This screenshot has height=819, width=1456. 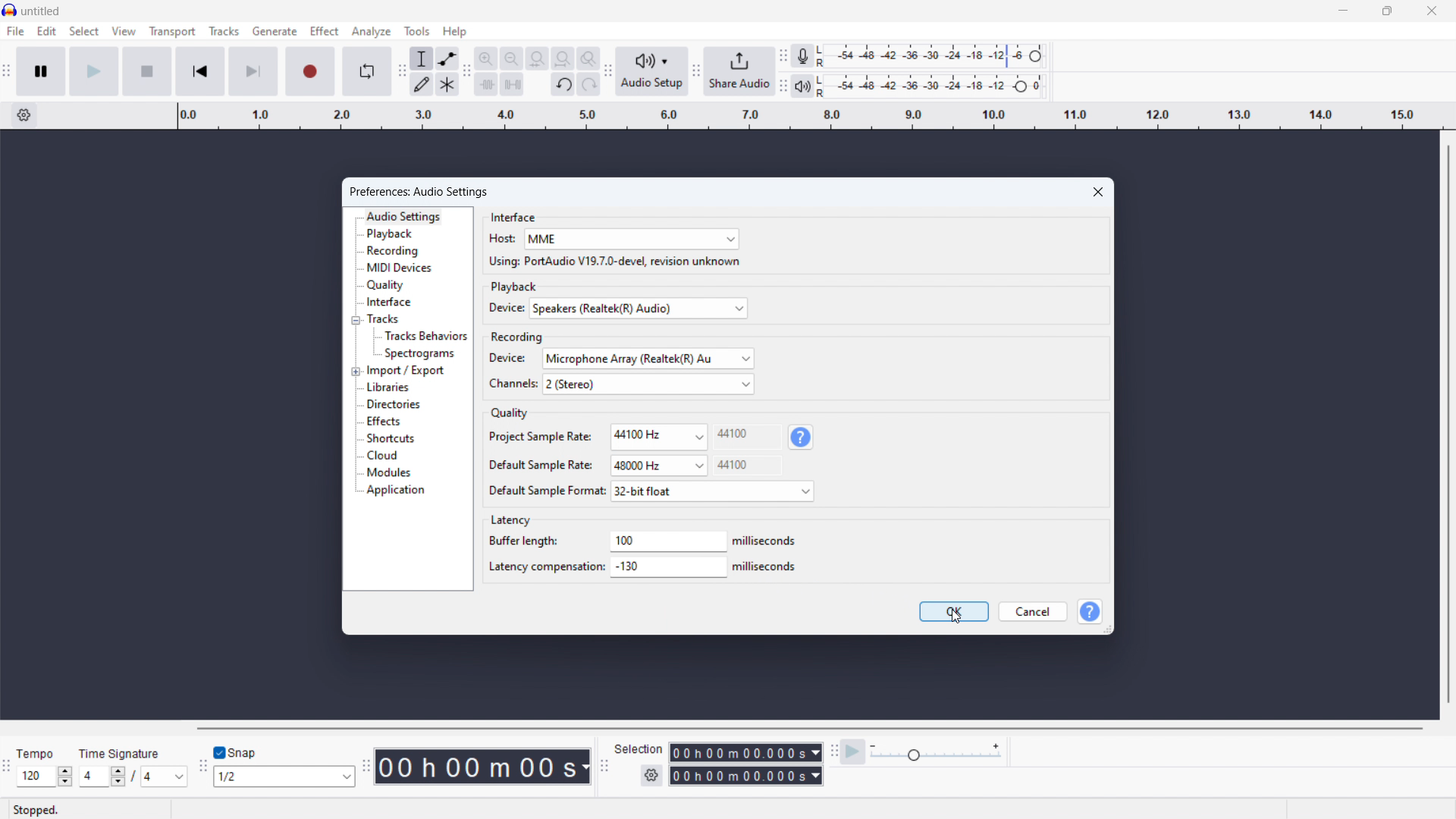 I want to click on file, so click(x=16, y=31).